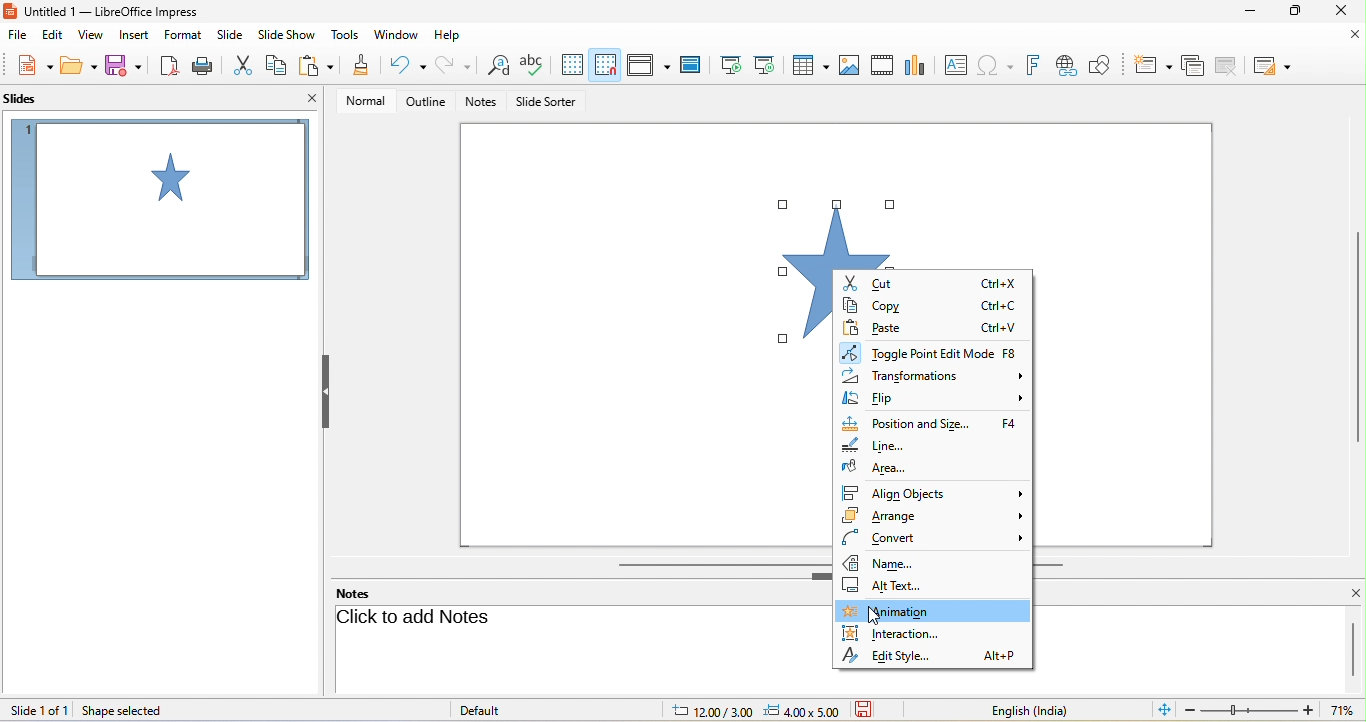 The height and width of the screenshot is (722, 1366). I want to click on clone formatting, so click(360, 64).